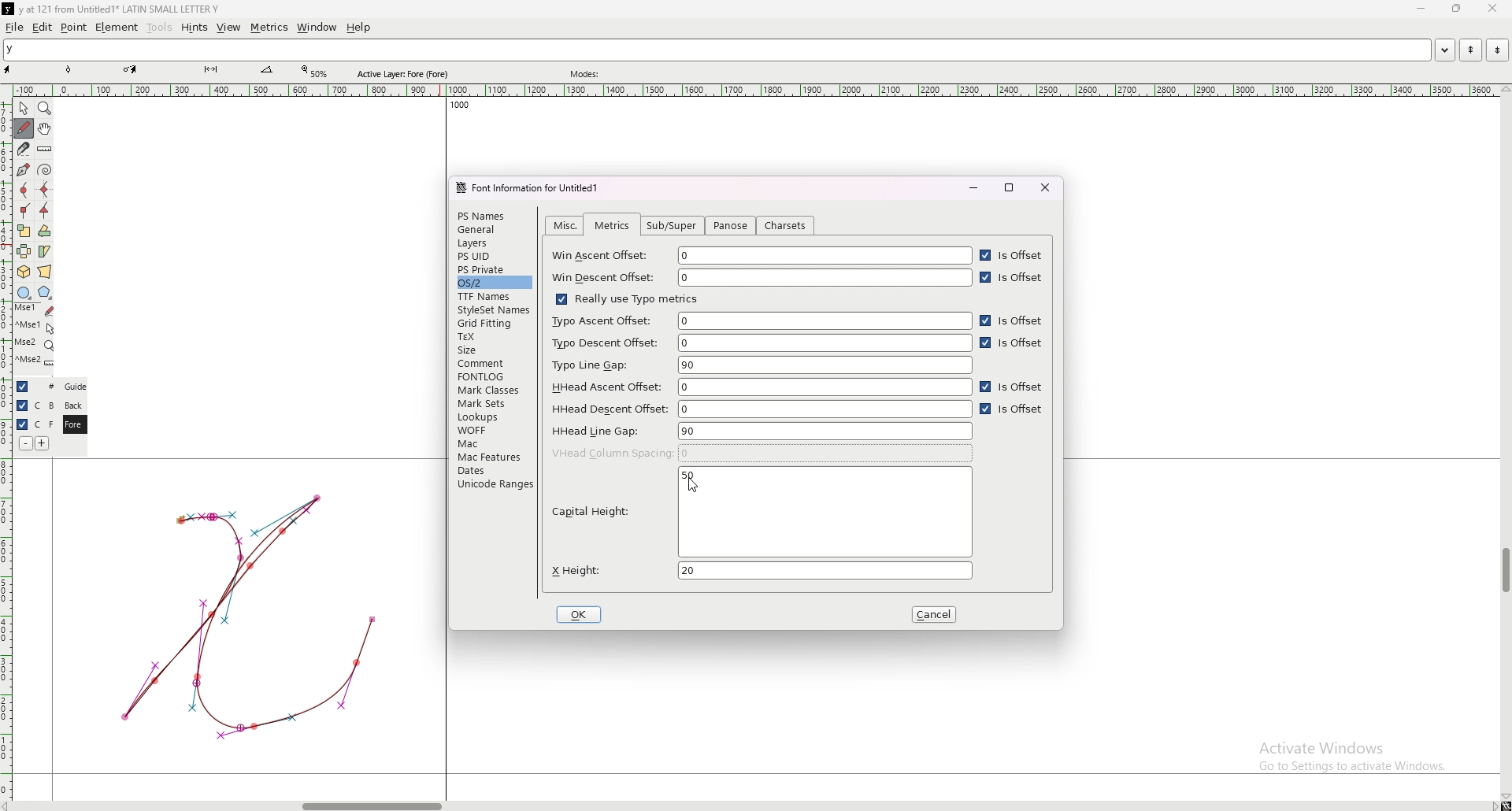  I want to click on flip the selection, so click(24, 251).